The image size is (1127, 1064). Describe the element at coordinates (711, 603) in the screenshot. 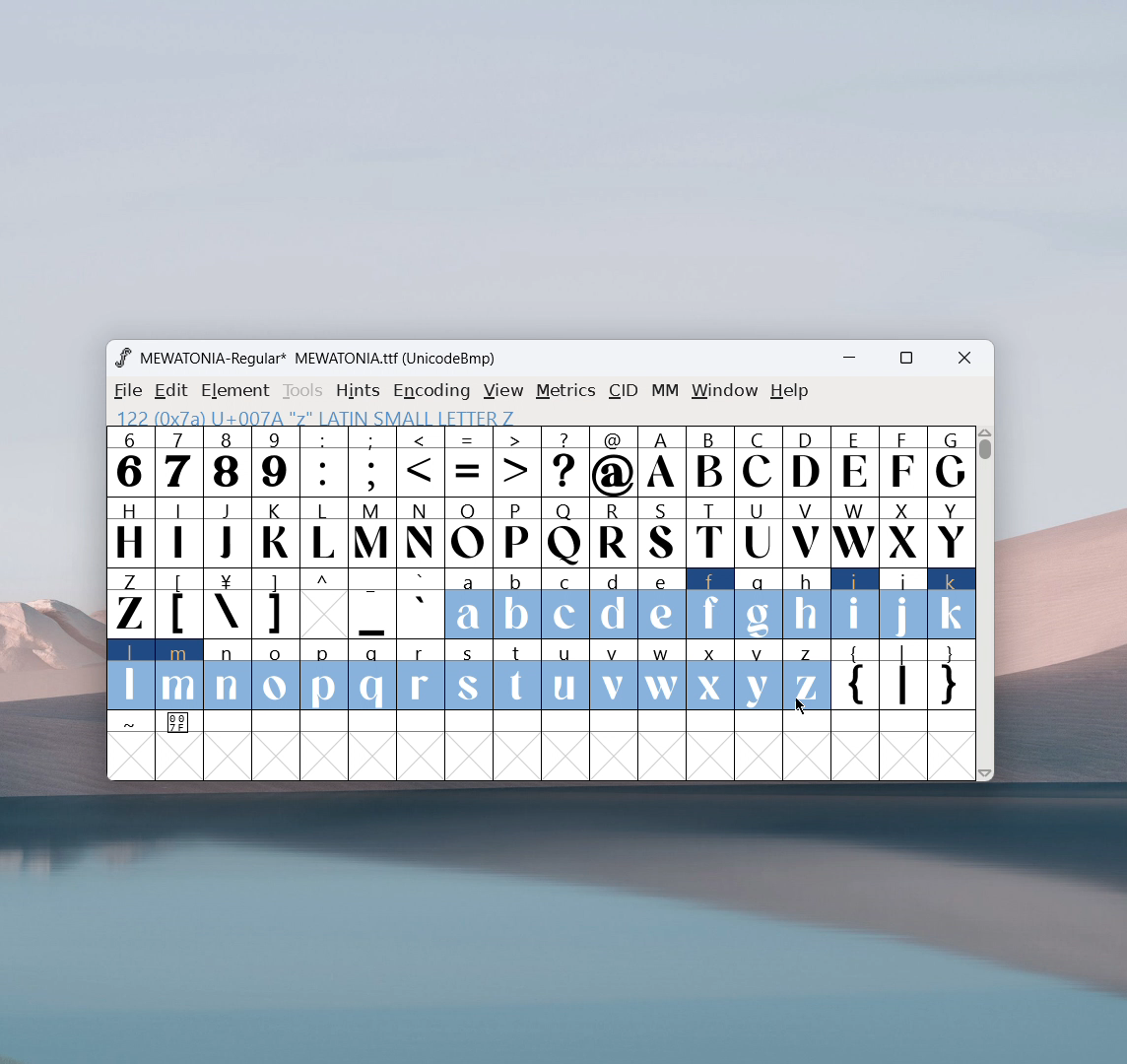

I see `f` at that location.